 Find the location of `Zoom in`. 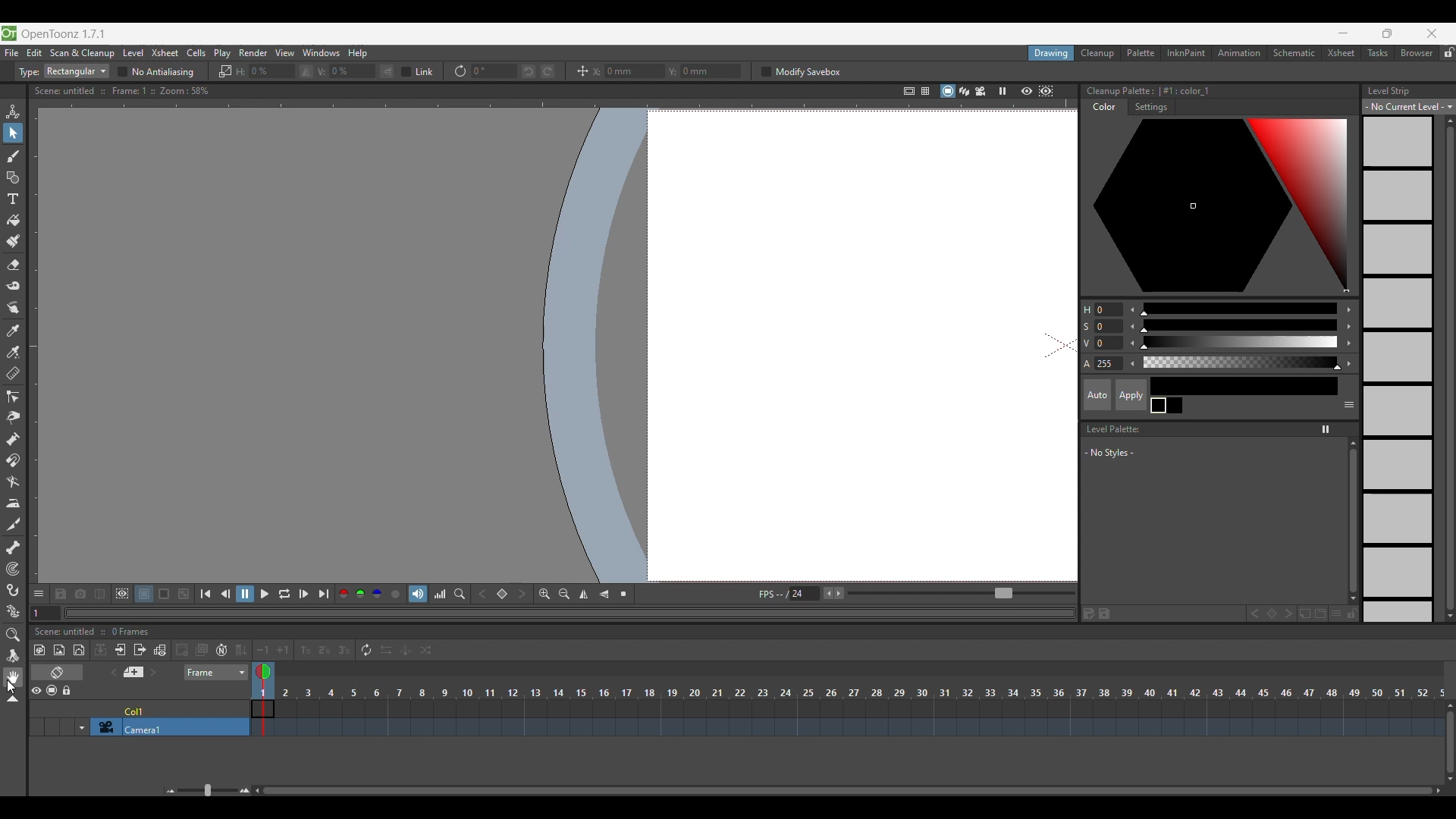

Zoom in is located at coordinates (245, 790).